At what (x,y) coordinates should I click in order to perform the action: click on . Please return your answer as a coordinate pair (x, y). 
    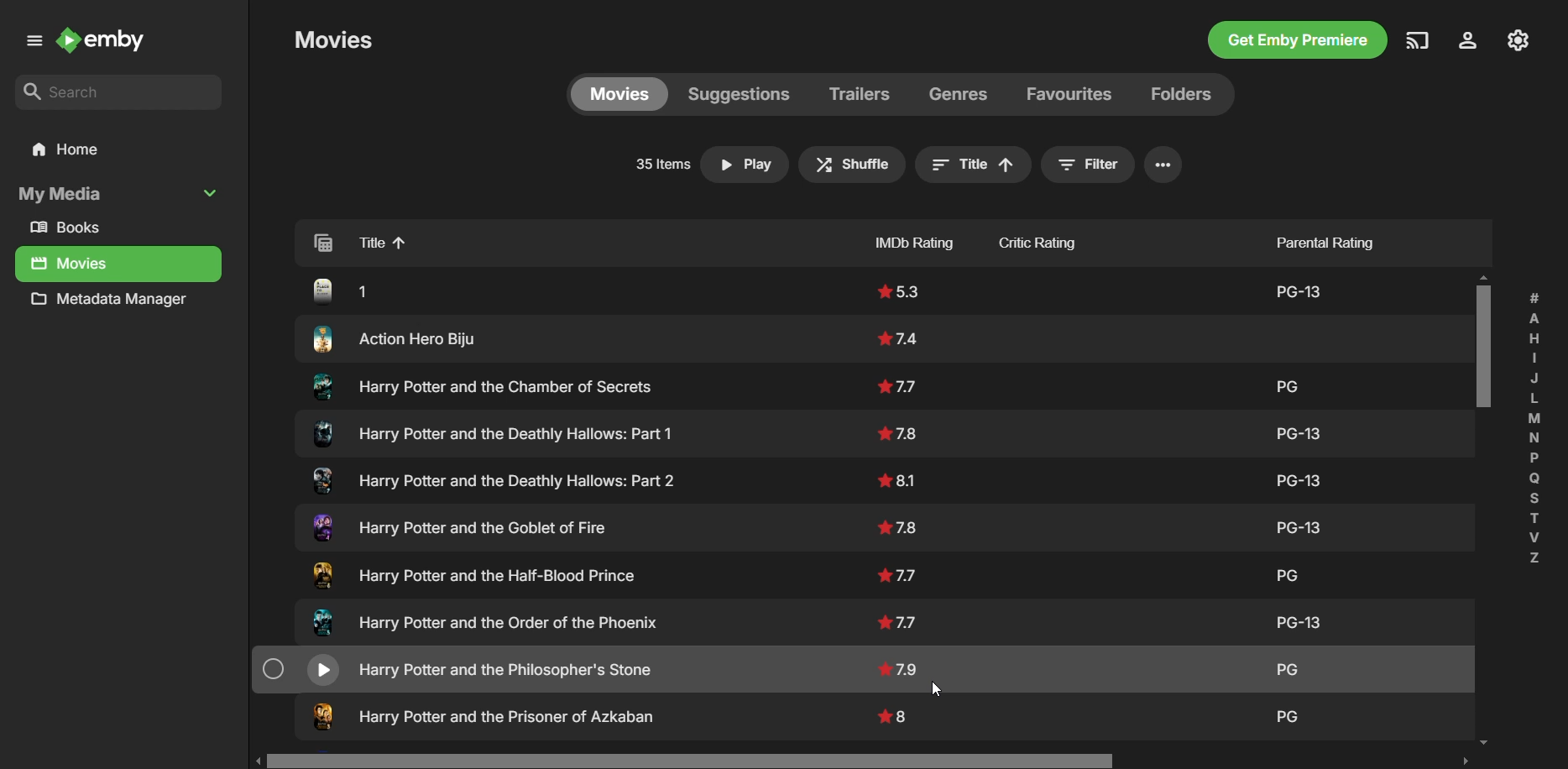
    Looking at the image, I should click on (356, 285).